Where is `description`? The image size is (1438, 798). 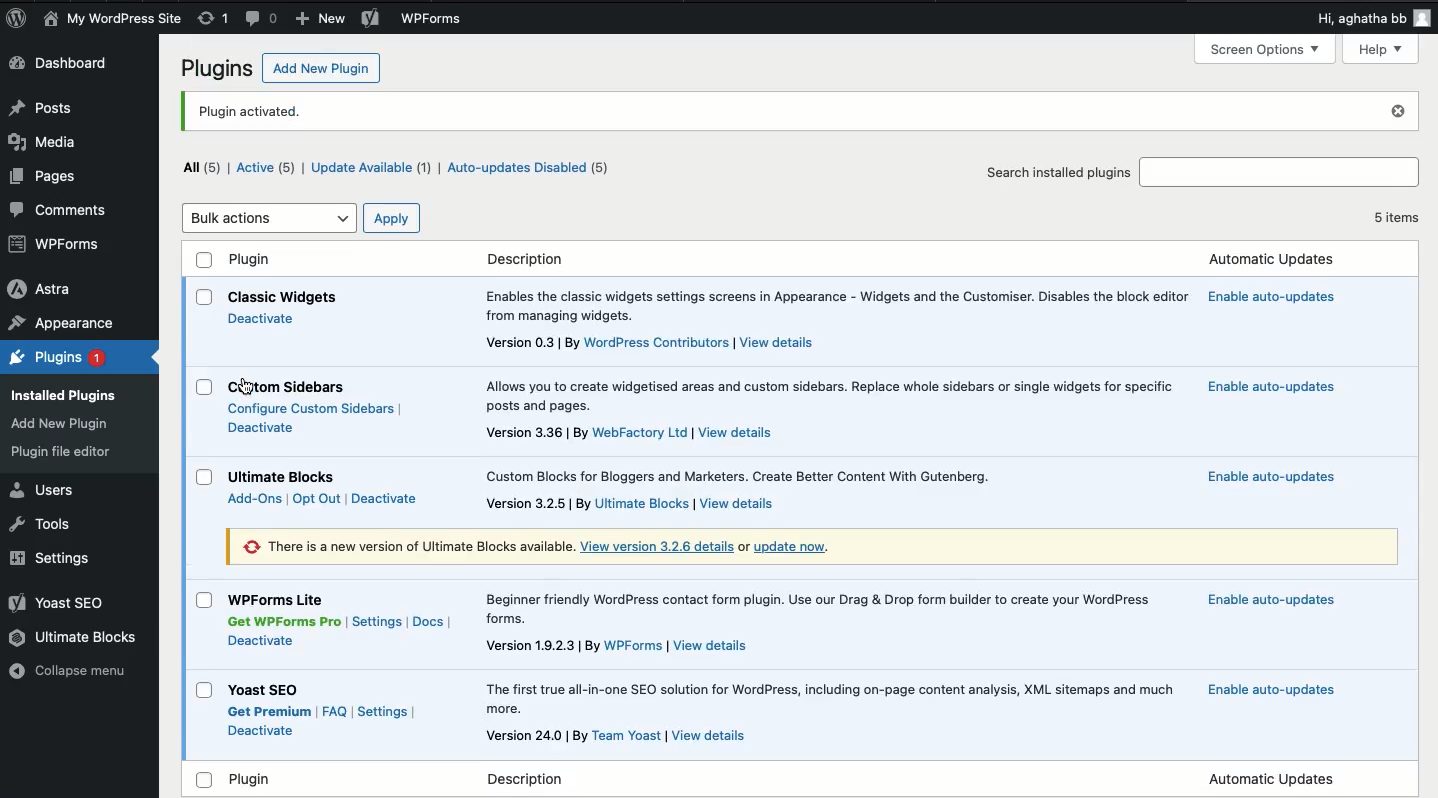 description is located at coordinates (826, 393).